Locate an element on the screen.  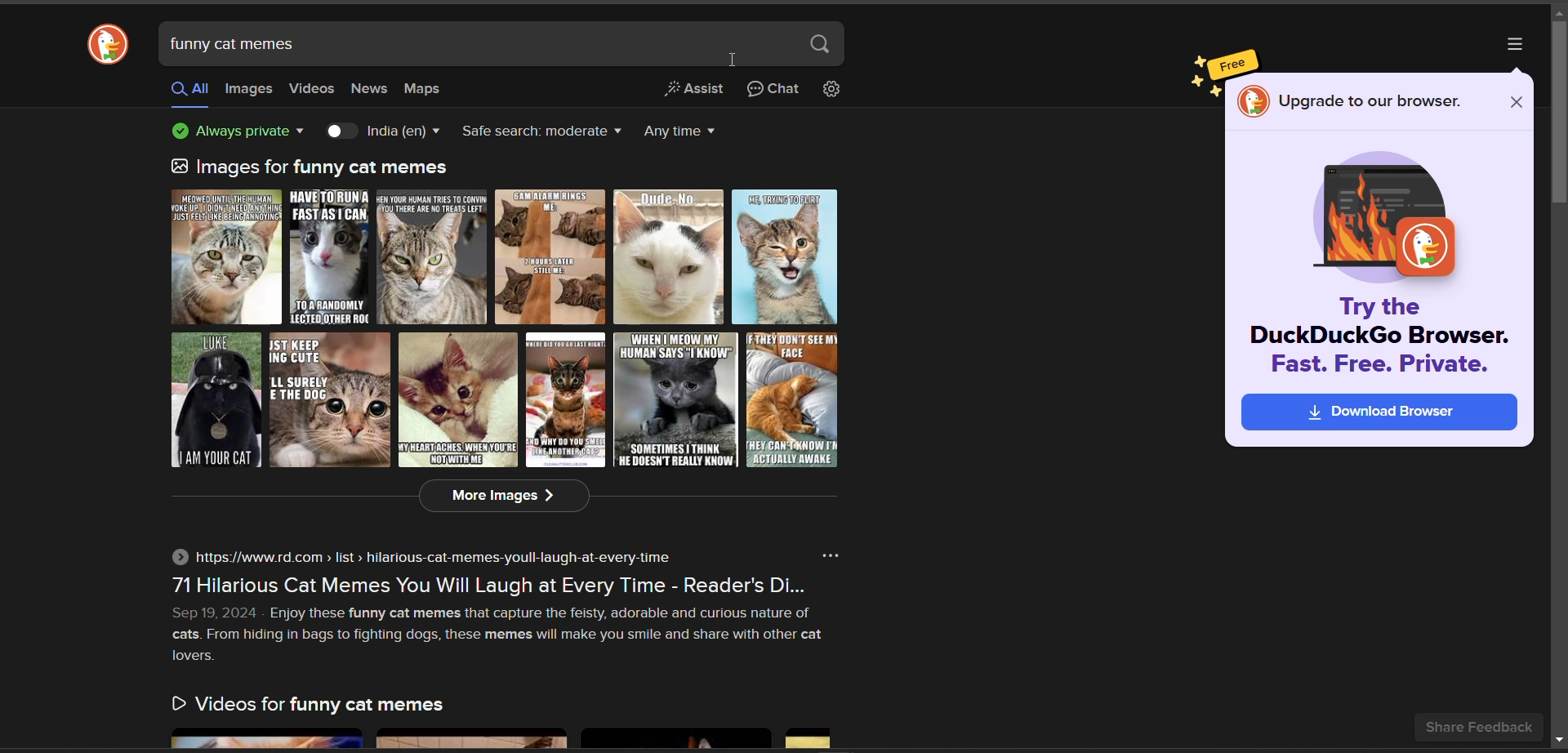
Download Browser is located at coordinates (1379, 412).